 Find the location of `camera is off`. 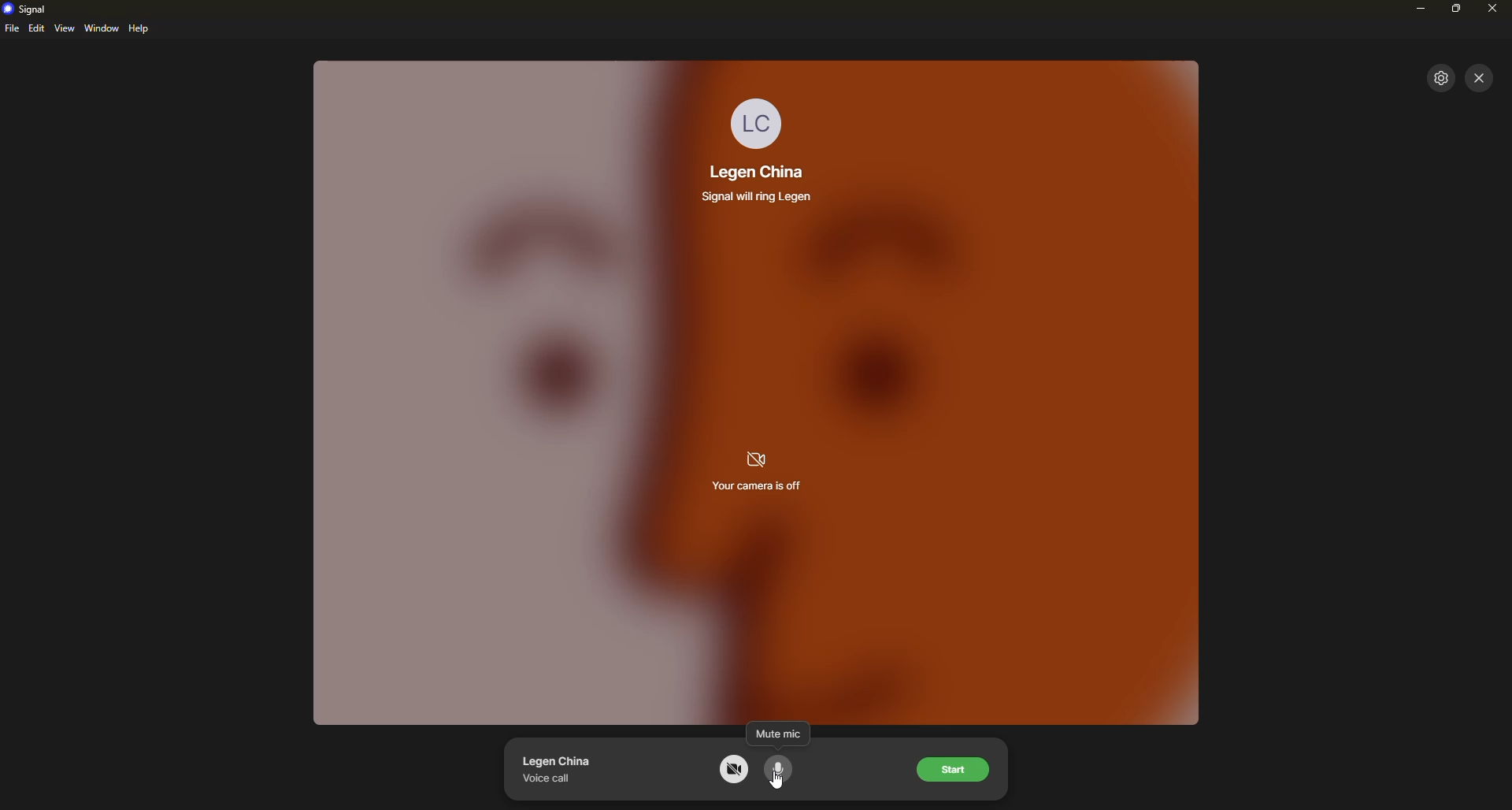

camera is off is located at coordinates (758, 471).